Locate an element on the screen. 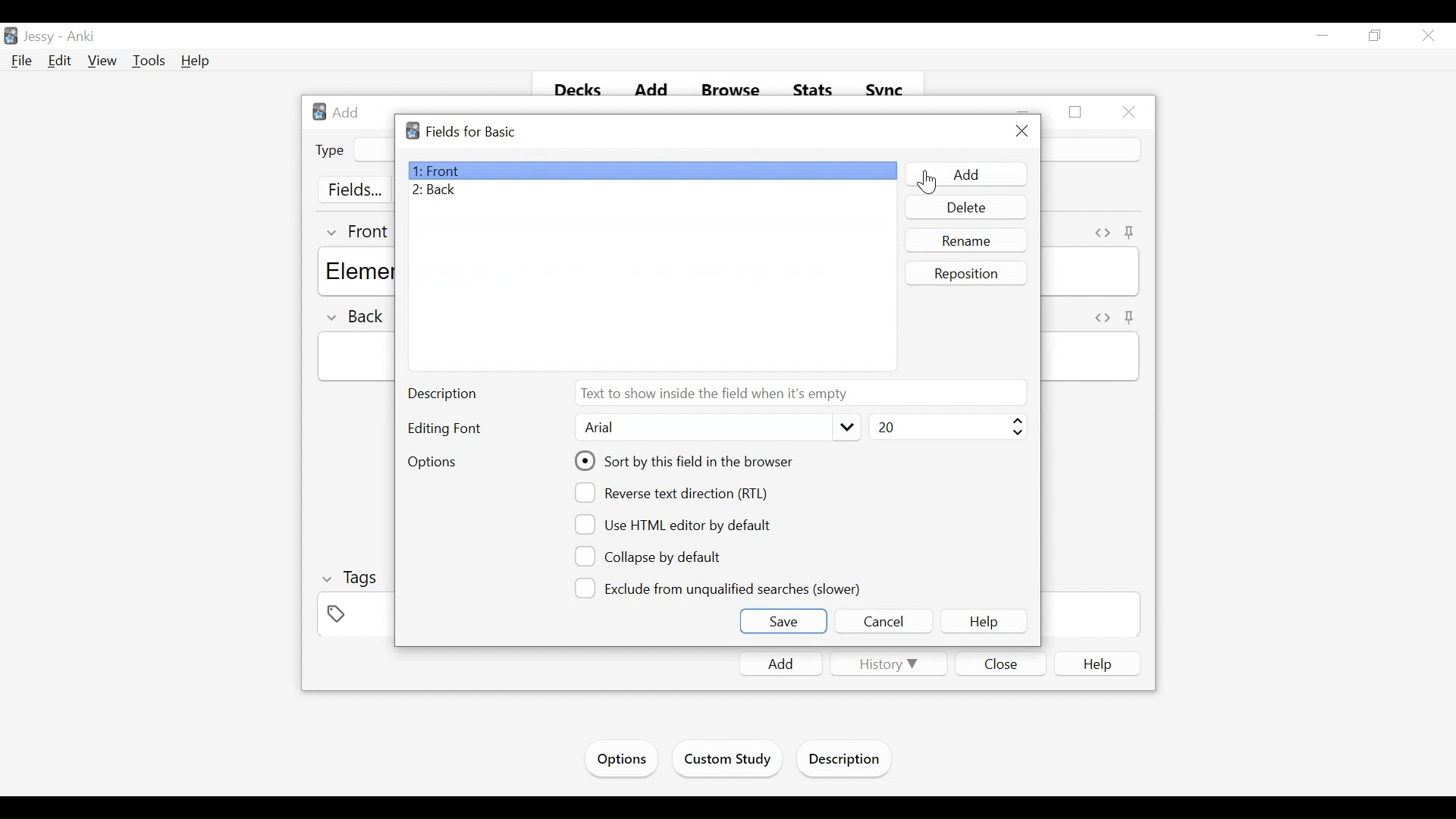  Edit is located at coordinates (60, 60).